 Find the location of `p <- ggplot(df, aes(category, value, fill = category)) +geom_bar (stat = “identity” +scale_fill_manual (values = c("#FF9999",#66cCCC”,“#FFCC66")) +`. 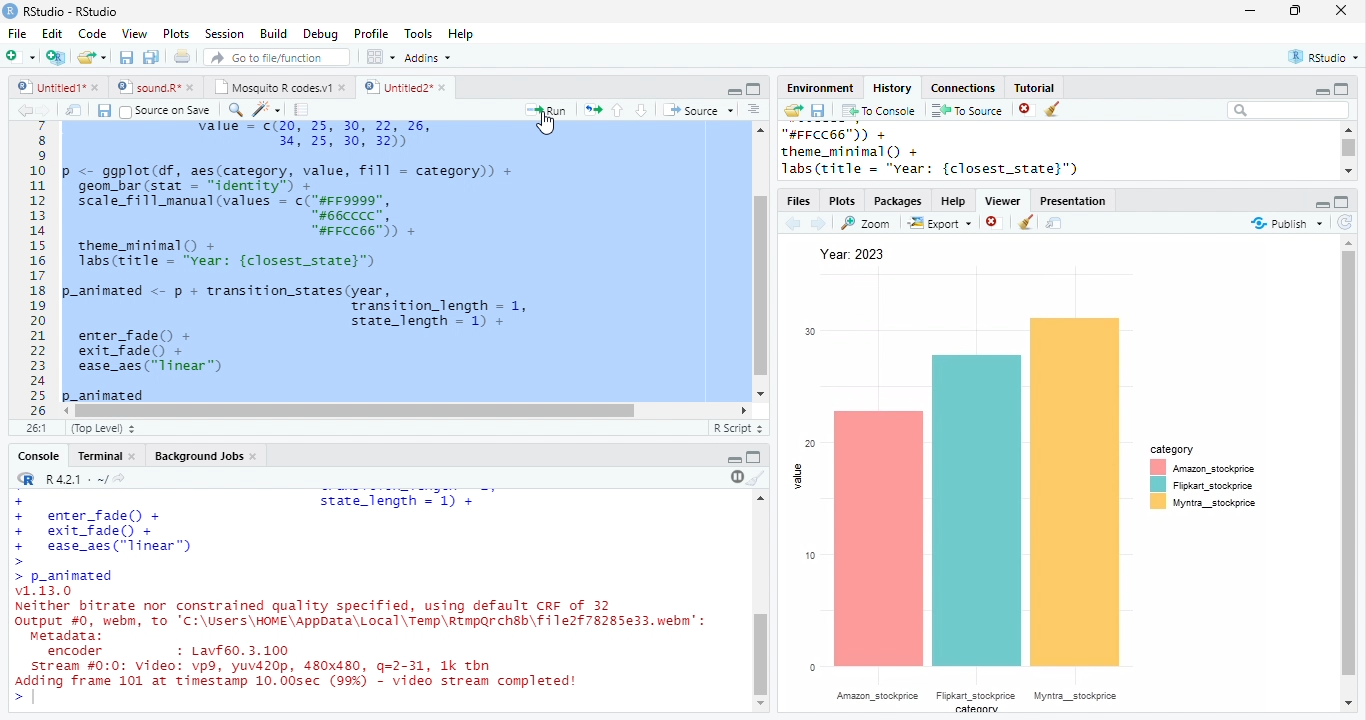

p <- ggplot(df, aes(category, value, fill = category)) +geom_bar (stat = “identity” +scale_fill_manual (values = c("#FF9999",#66cCCC”,“#FFCC66")) + is located at coordinates (290, 200).